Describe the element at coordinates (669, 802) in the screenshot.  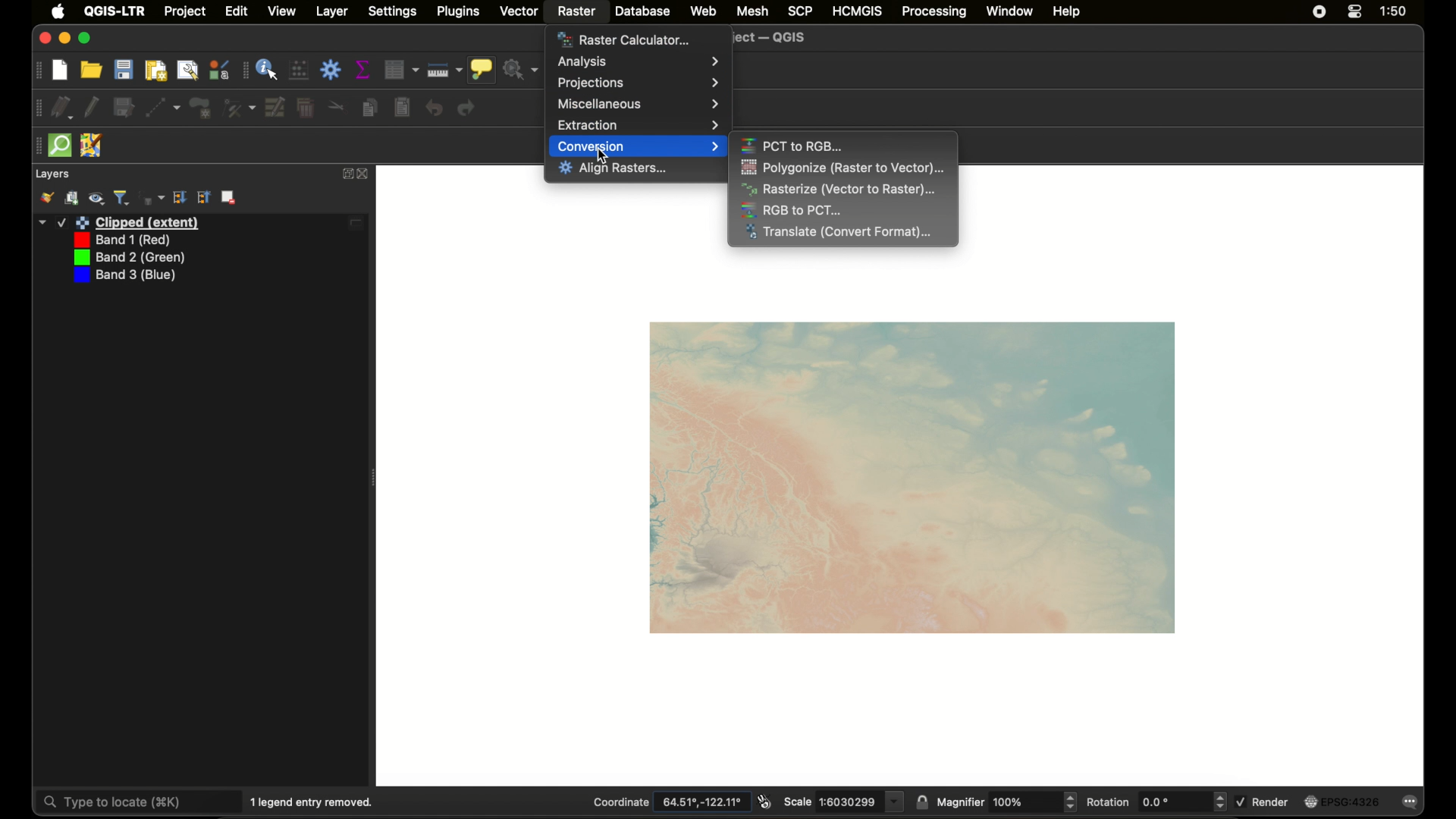
I see `coordinate` at that location.